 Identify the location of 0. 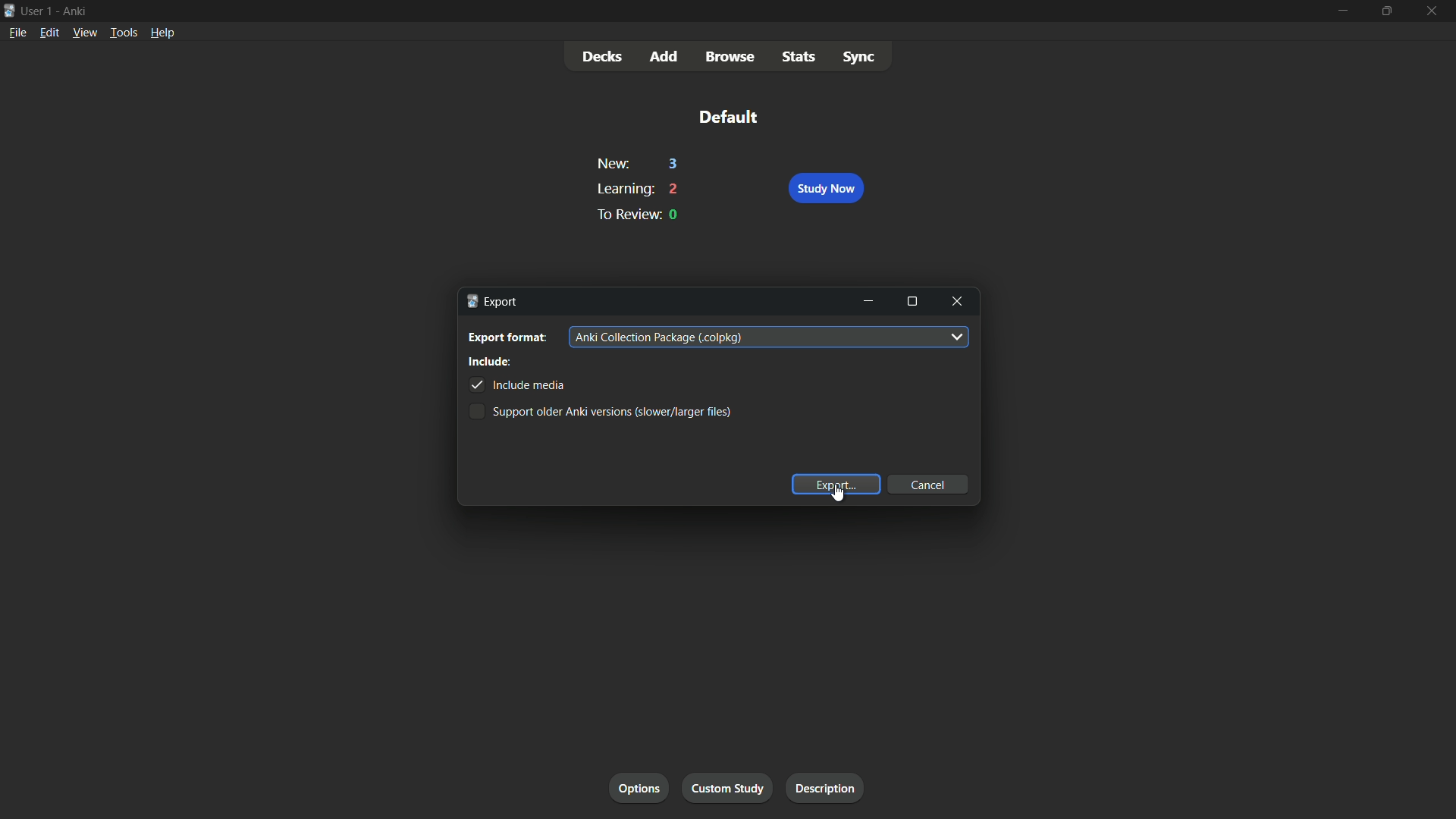
(675, 215).